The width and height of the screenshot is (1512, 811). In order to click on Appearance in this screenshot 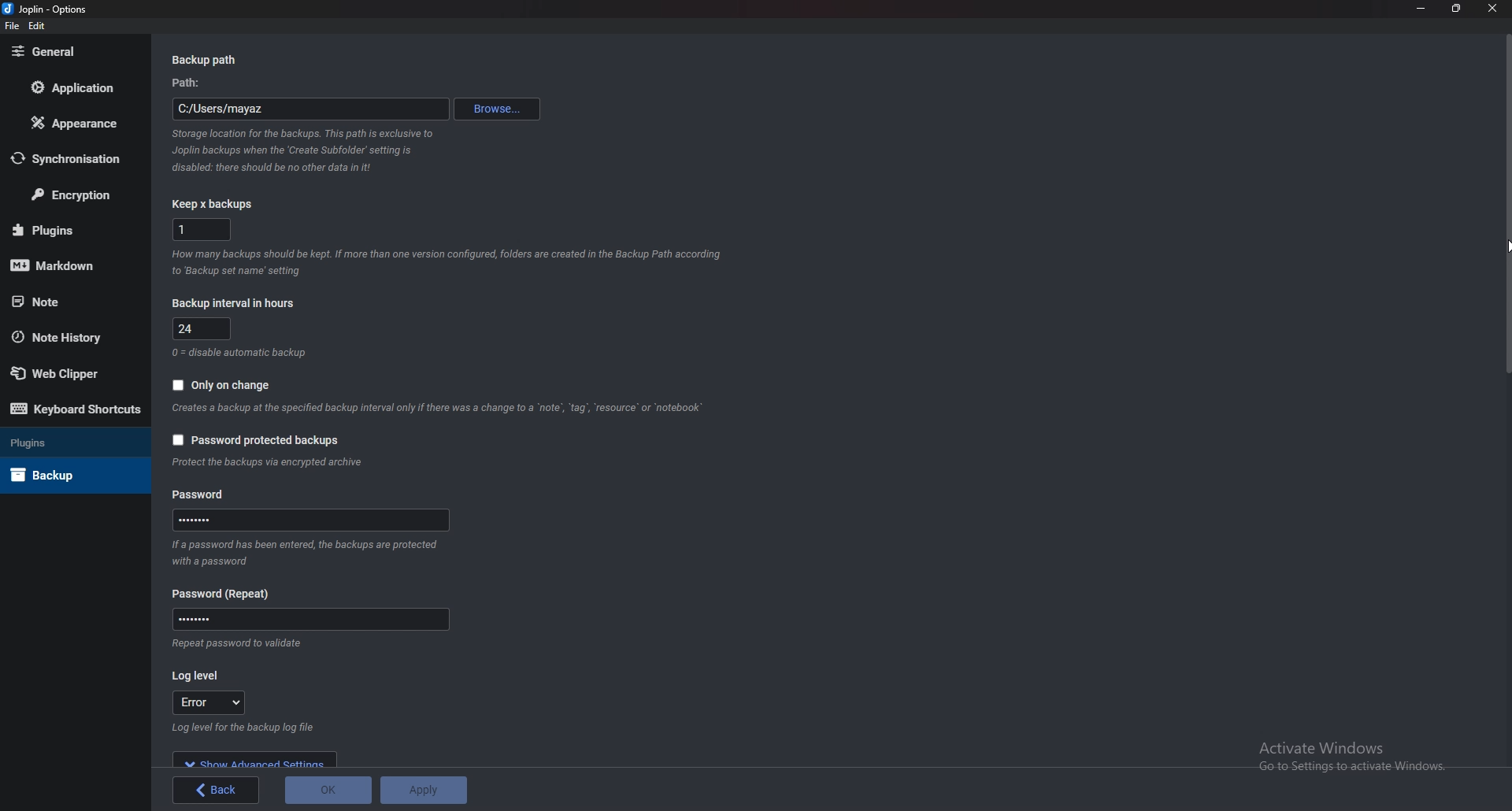, I will do `click(74, 124)`.